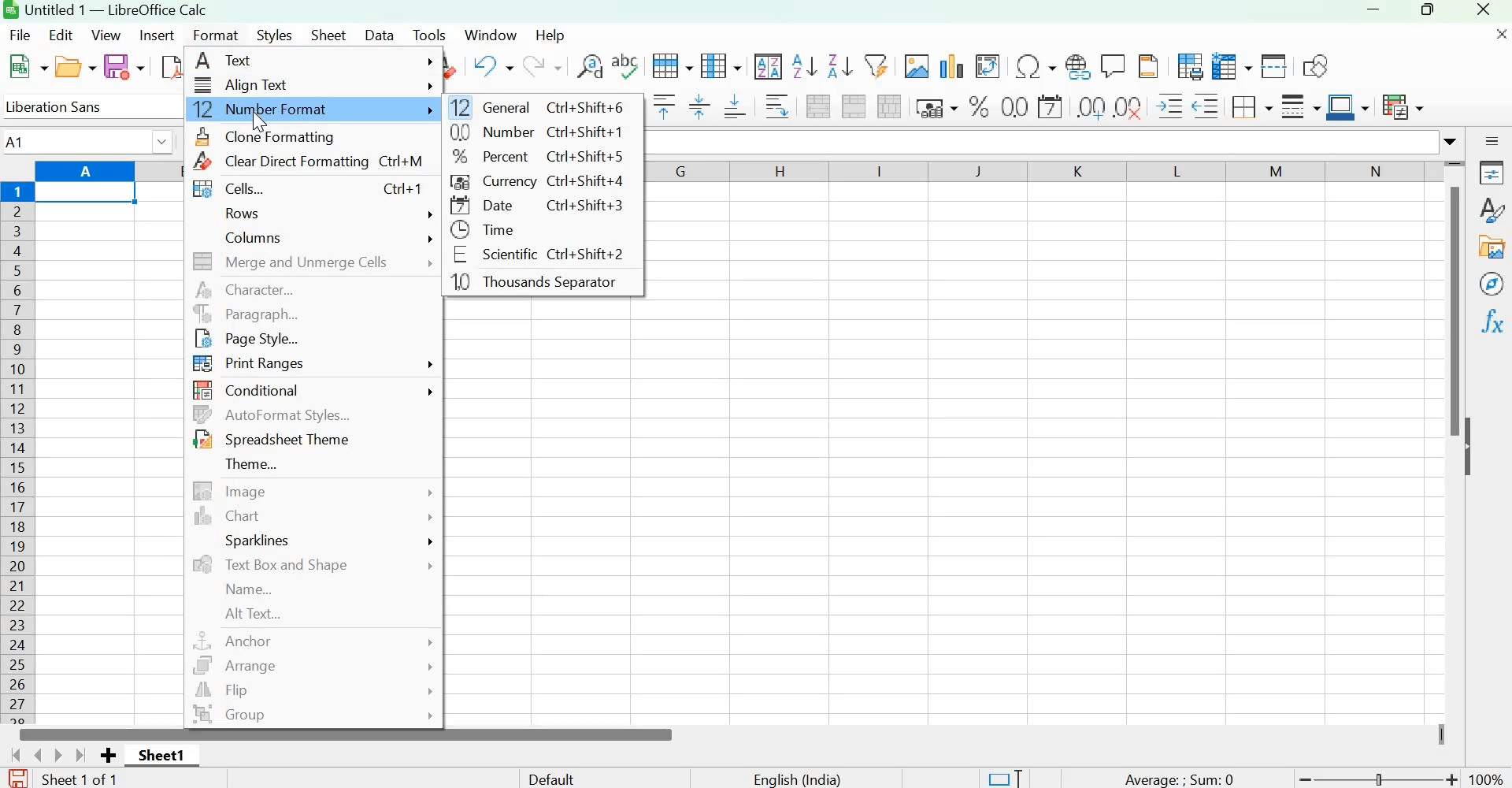  What do you see at coordinates (254, 614) in the screenshot?
I see `Alt Text` at bounding box center [254, 614].